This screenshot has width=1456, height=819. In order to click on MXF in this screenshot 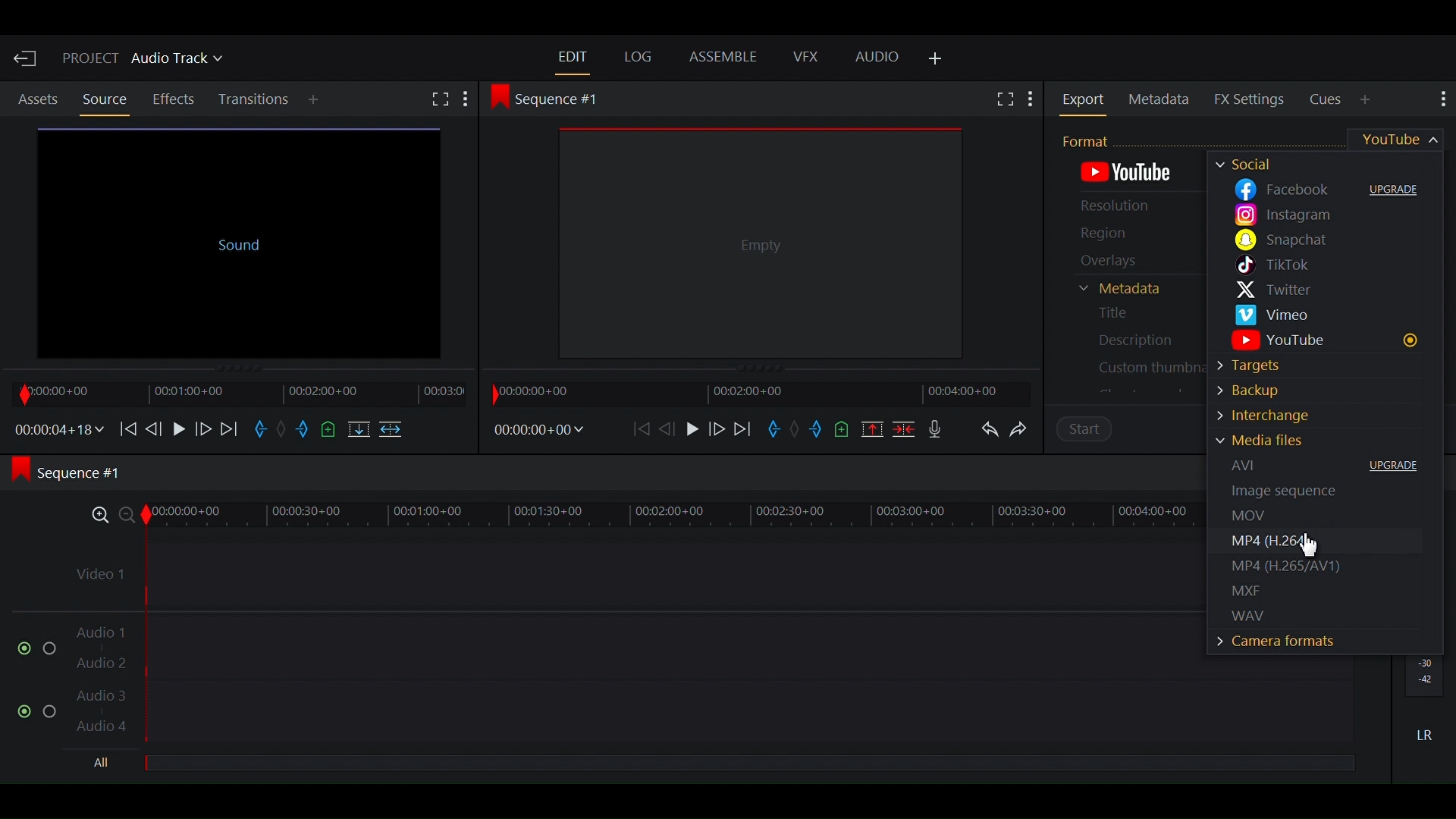, I will do `click(1320, 591)`.